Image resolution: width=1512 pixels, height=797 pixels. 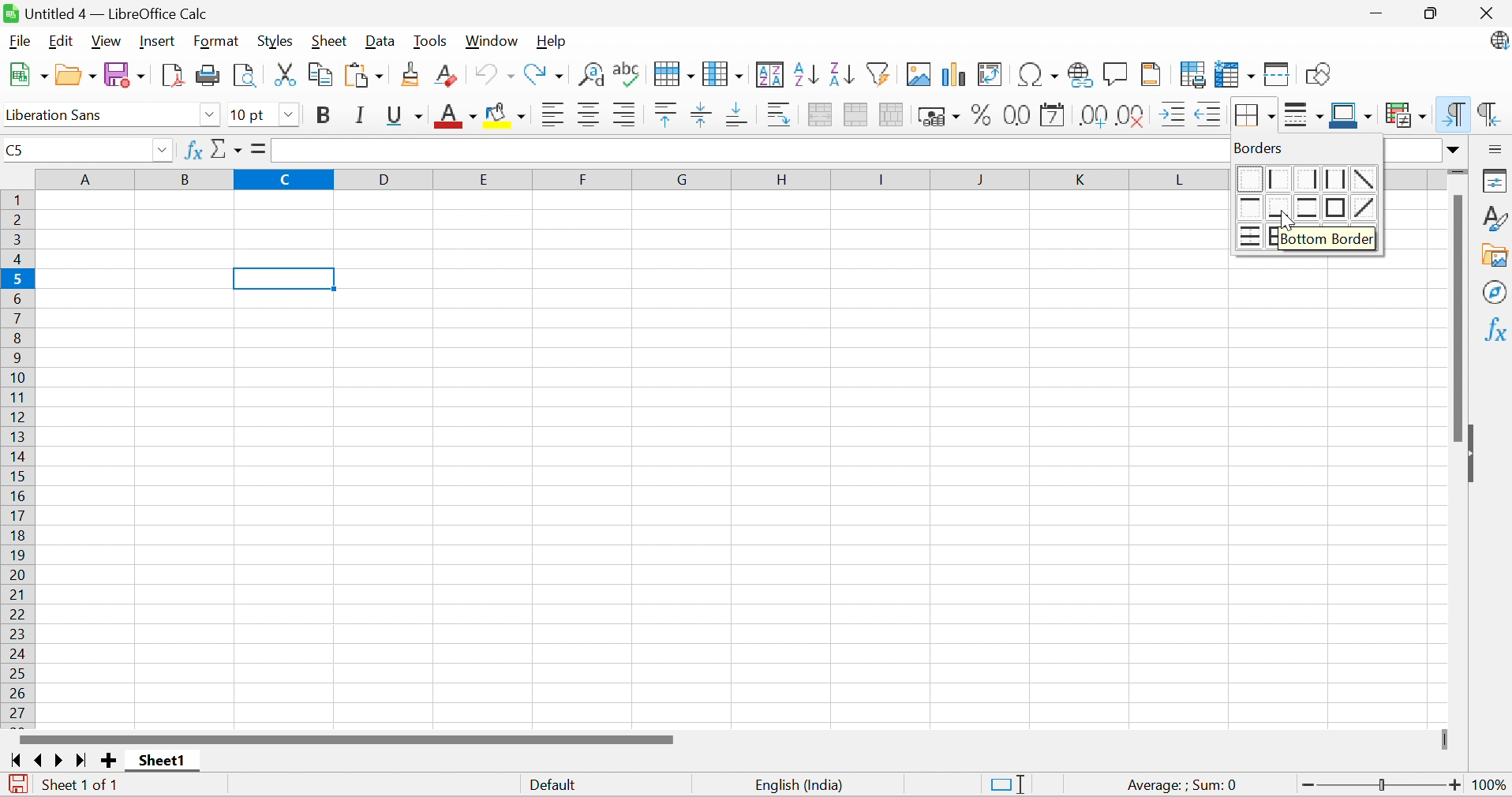 What do you see at coordinates (1383, 786) in the screenshot?
I see `Slider` at bounding box center [1383, 786].